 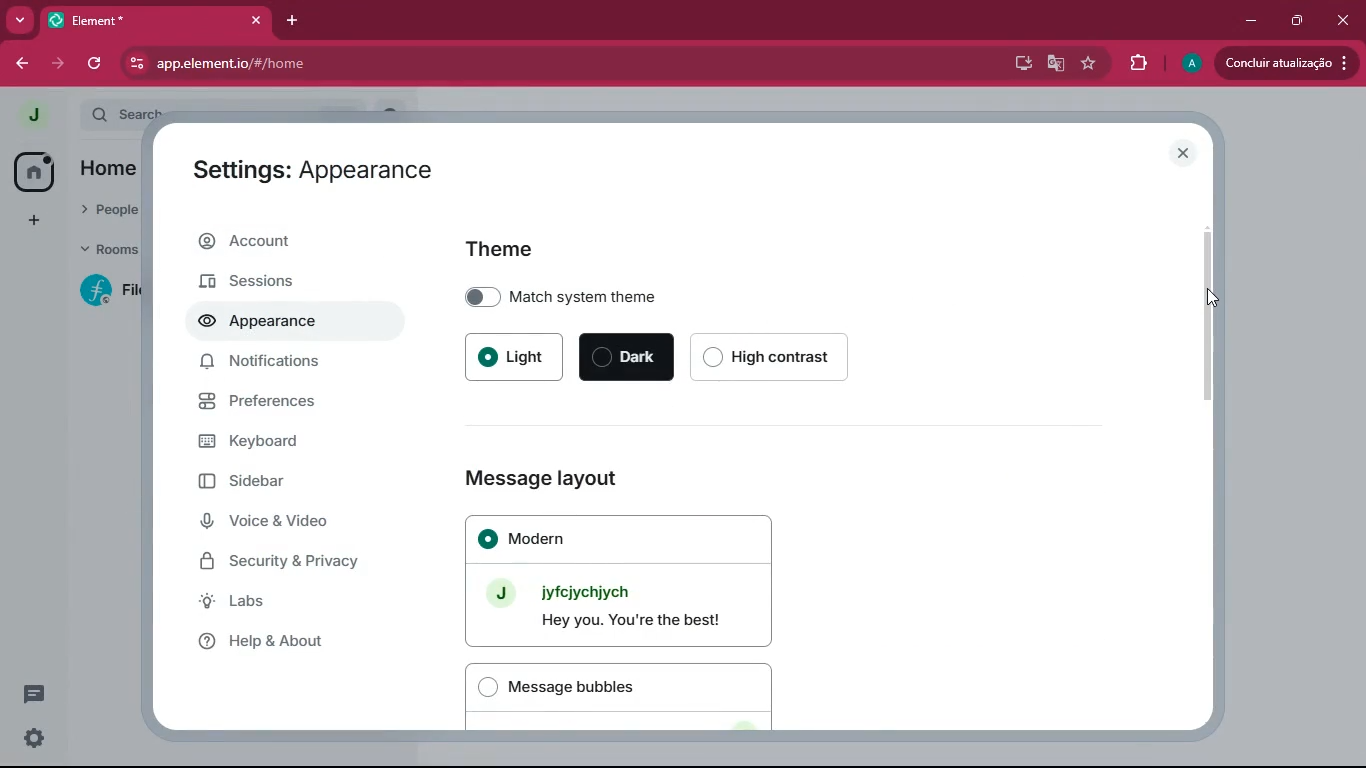 What do you see at coordinates (297, 23) in the screenshot?
I see `add tab` at bounding box center [297, 23].